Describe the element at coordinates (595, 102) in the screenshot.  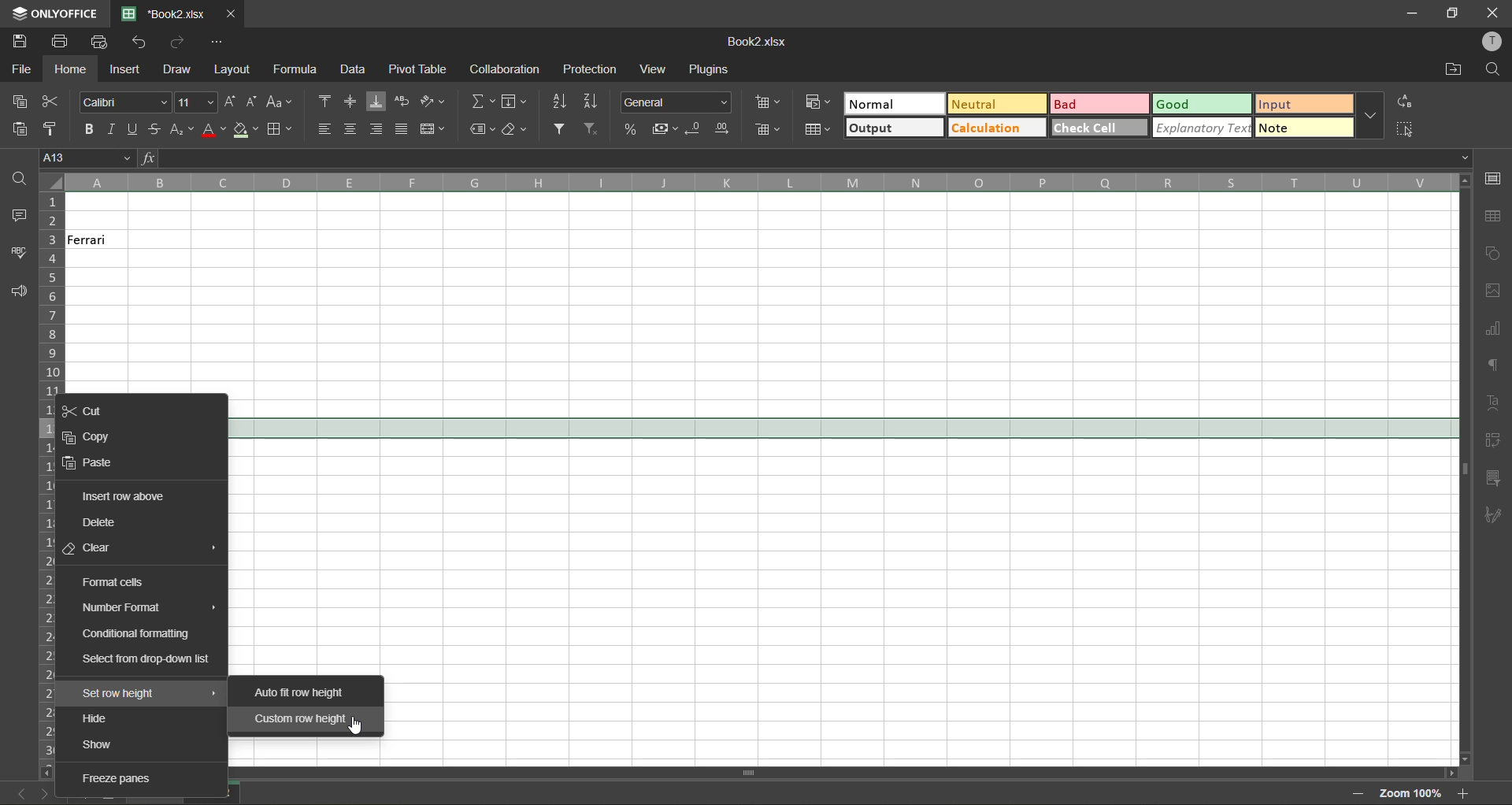
I see `sort descending` at that location.